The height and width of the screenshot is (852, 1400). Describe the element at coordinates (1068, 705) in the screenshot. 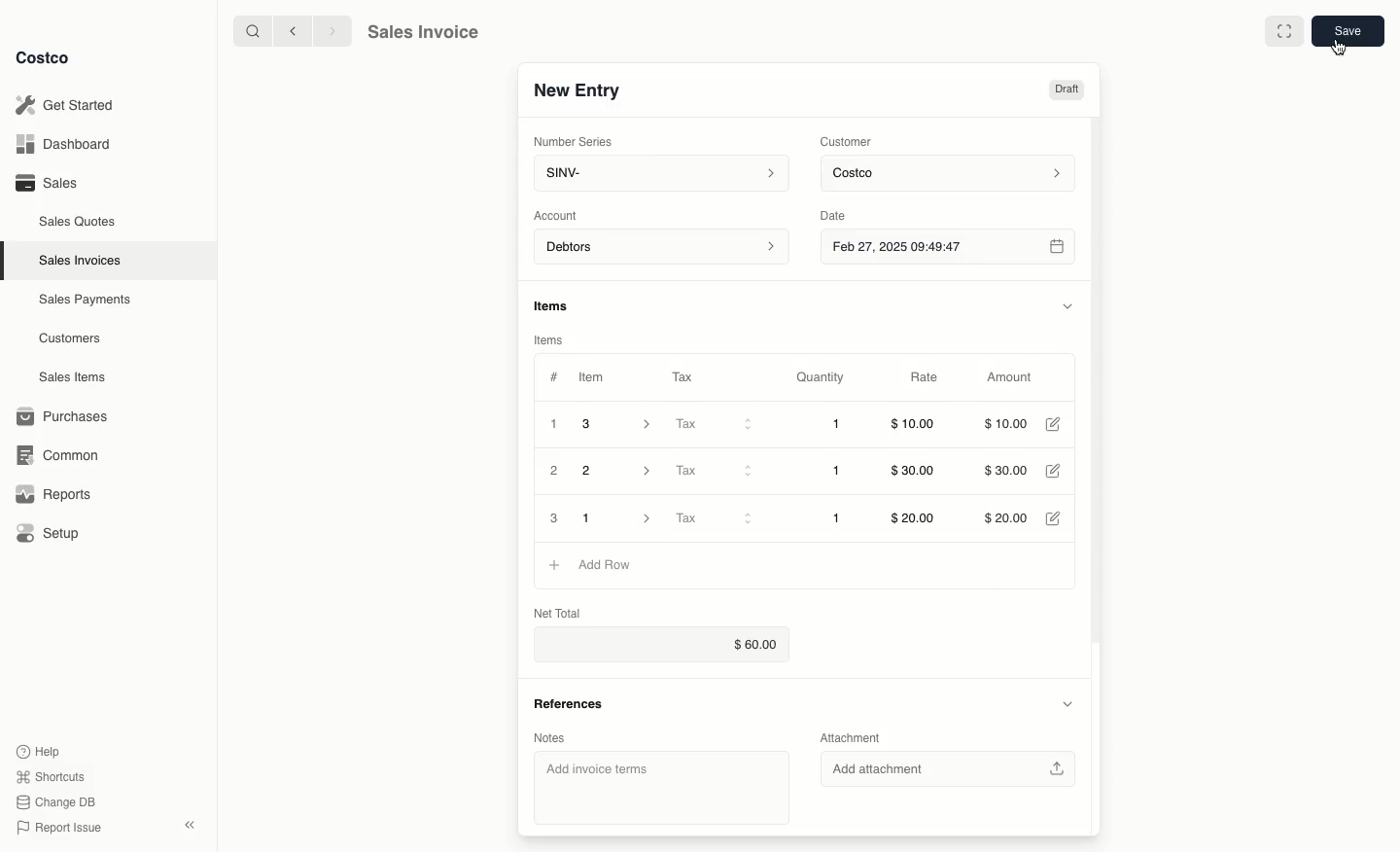

I see `Hide` at that location.